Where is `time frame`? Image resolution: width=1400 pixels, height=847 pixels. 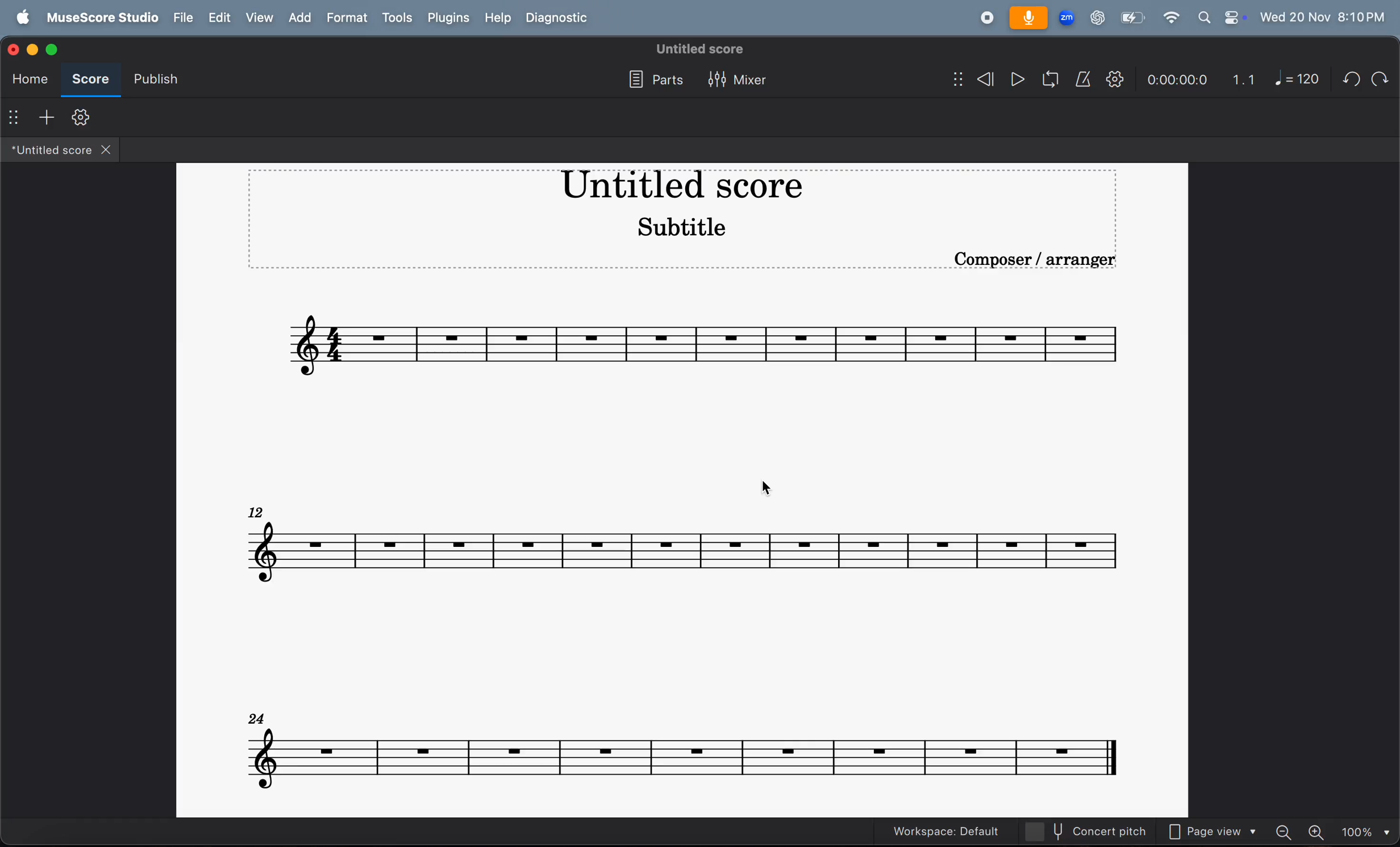
time frame is located at coordinates (1178, 78).